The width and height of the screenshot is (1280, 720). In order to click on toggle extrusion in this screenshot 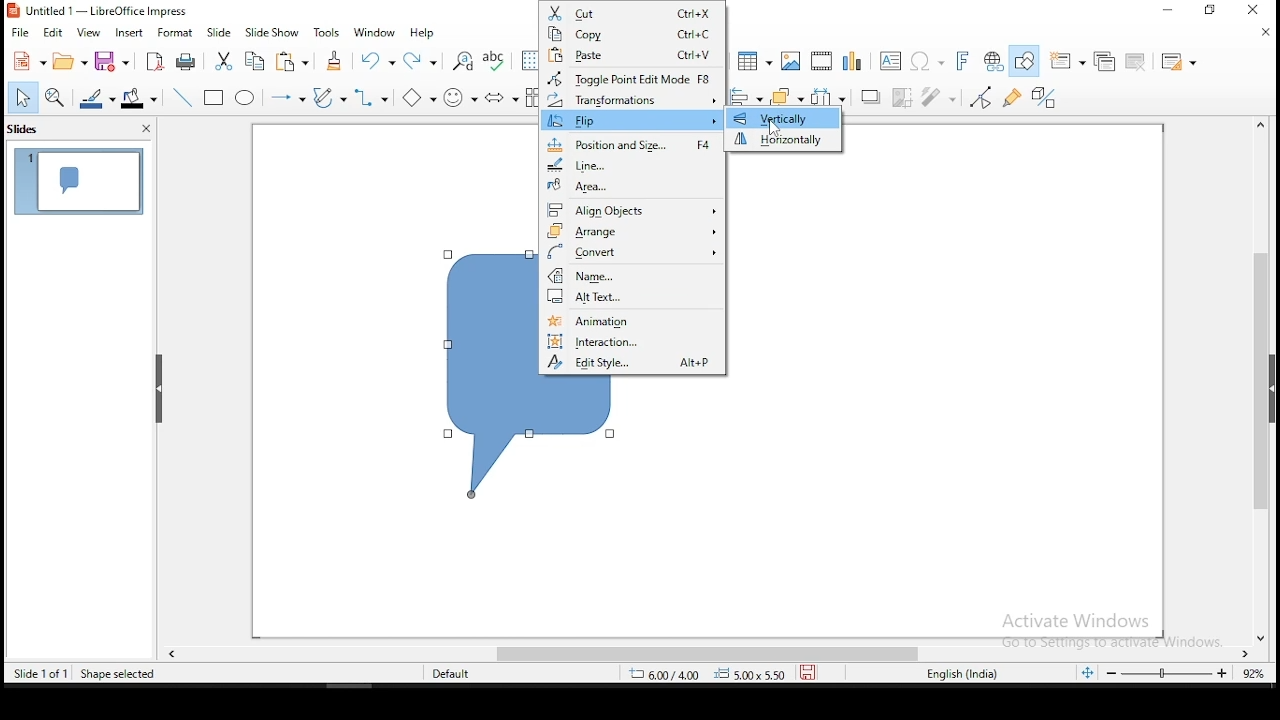, I will do `click(1044, 97)`.